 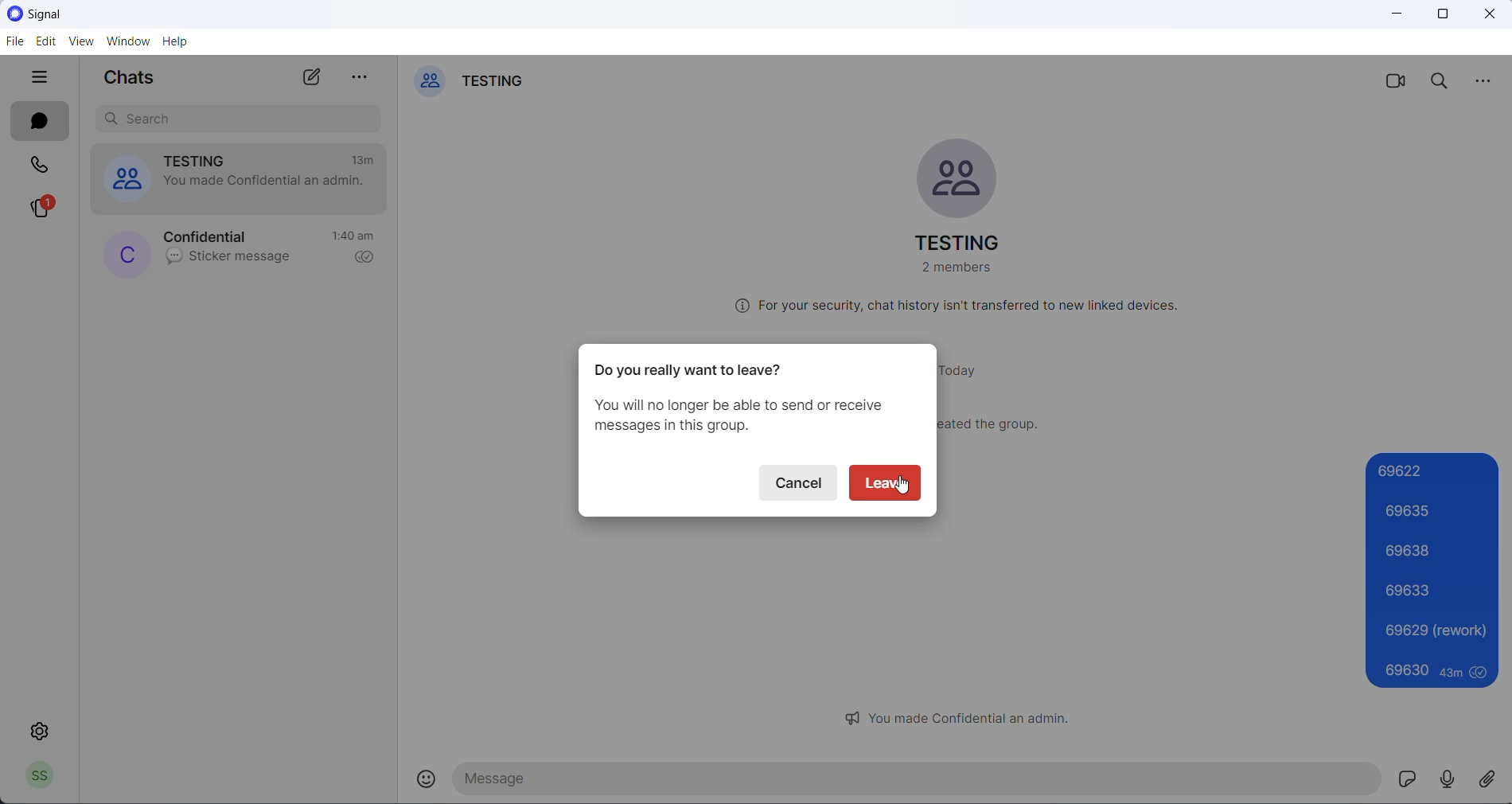 What do you see at coordinates (1451, 778) in the screenshot?
I see `voice mail` at bounding box center [1451, 778].